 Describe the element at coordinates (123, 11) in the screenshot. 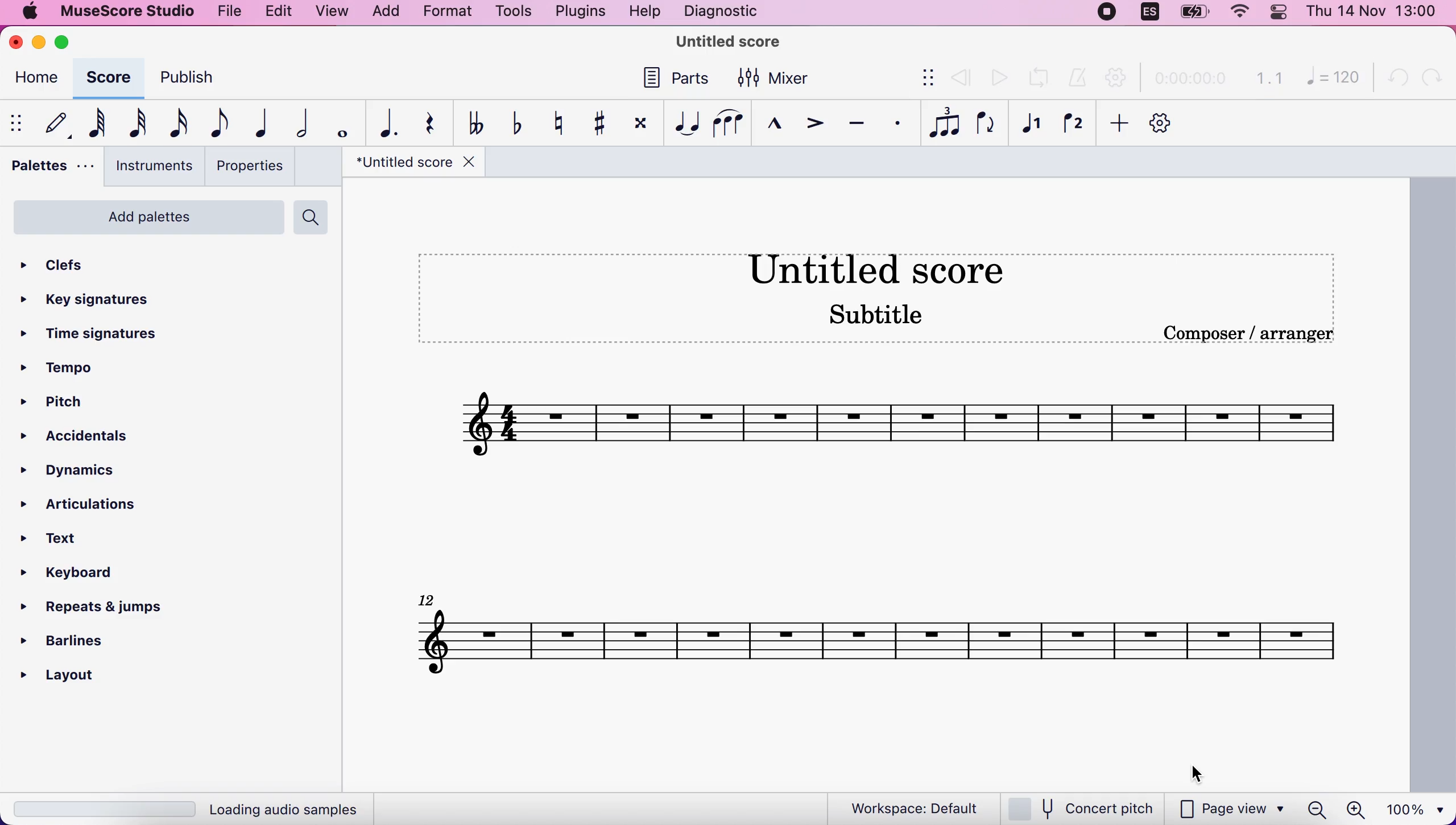

I see `musescore studio` at that location.